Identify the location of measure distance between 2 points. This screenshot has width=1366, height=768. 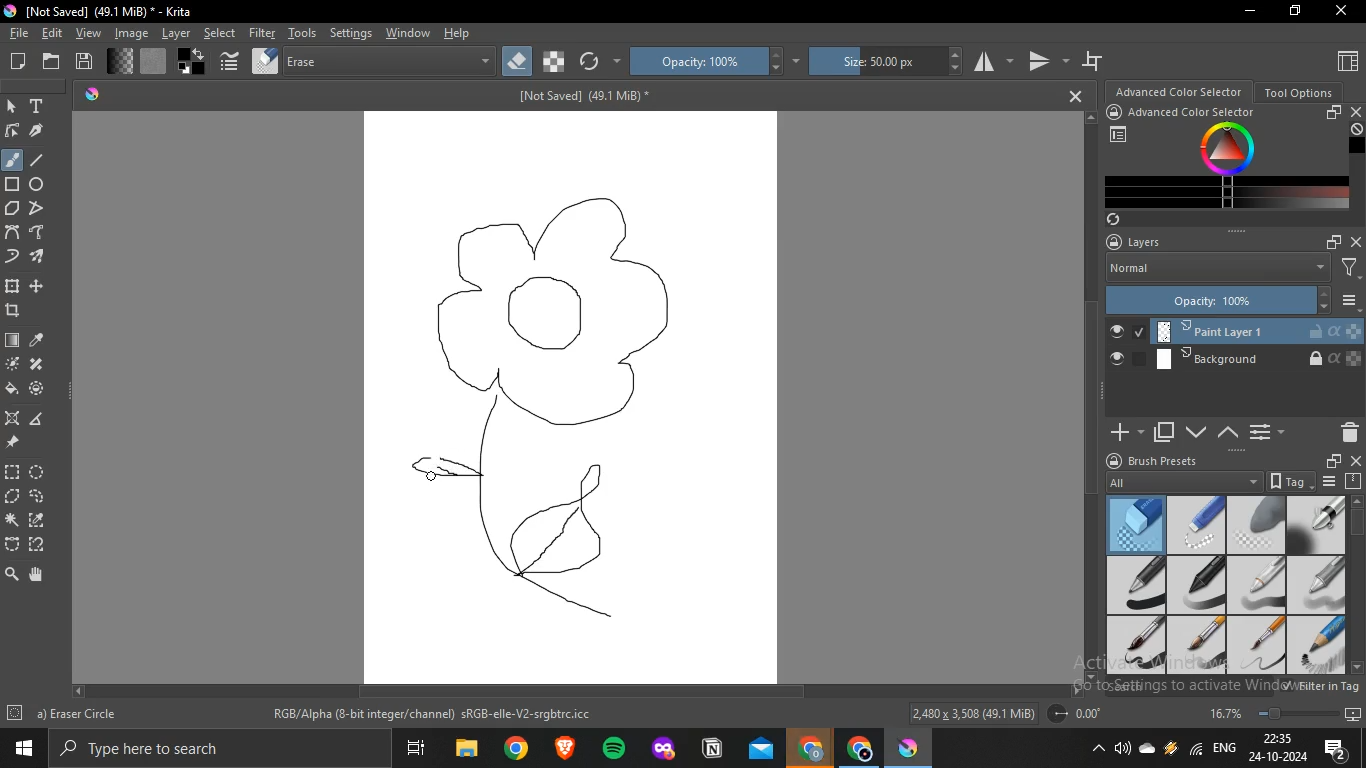
(38, 419).